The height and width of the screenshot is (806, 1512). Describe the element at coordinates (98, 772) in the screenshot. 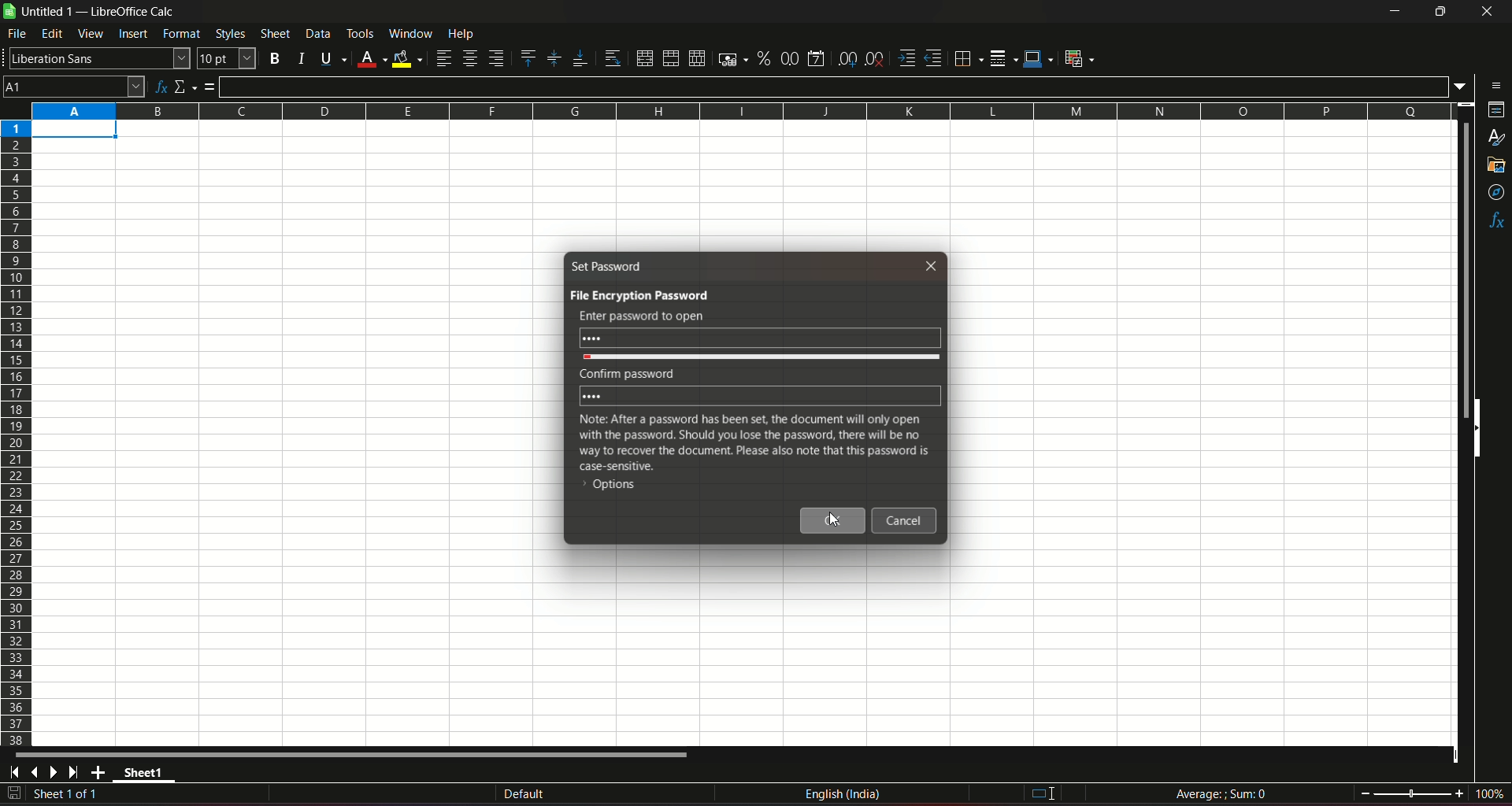

I see `add new sheet` at that location.